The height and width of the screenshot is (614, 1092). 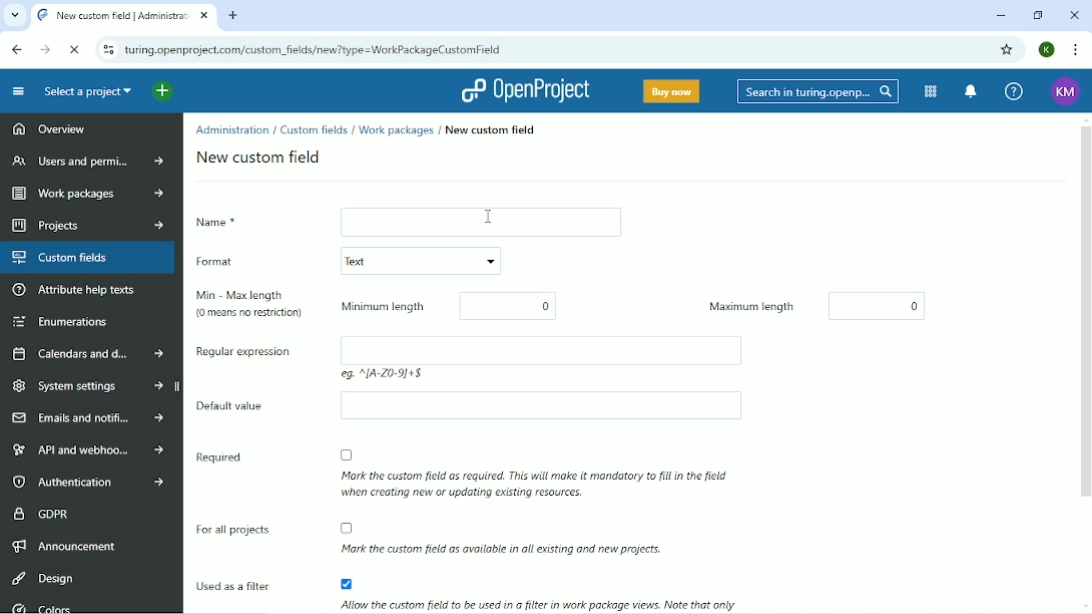 What do you see at coordinates (377, 306) in the screenshot?
I see `Minimum length` at bounding box center [377, 306].